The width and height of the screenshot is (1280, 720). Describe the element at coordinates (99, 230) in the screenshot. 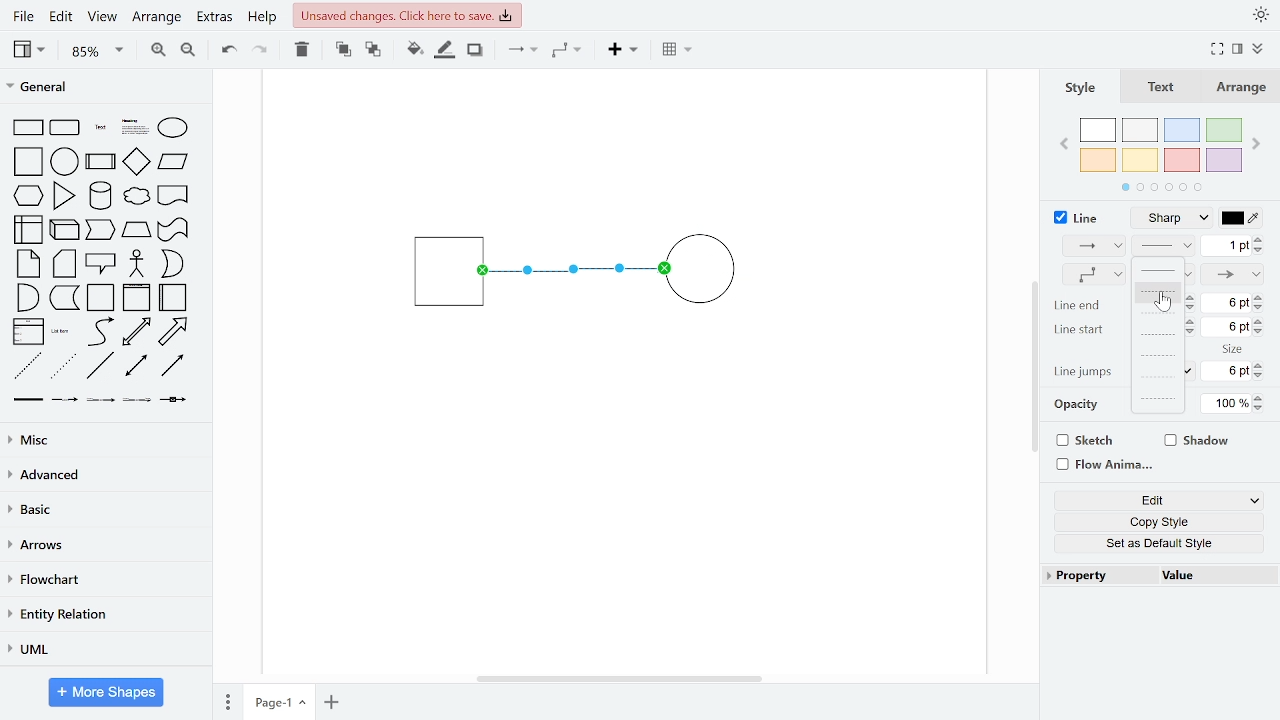

I see `step` at that location.